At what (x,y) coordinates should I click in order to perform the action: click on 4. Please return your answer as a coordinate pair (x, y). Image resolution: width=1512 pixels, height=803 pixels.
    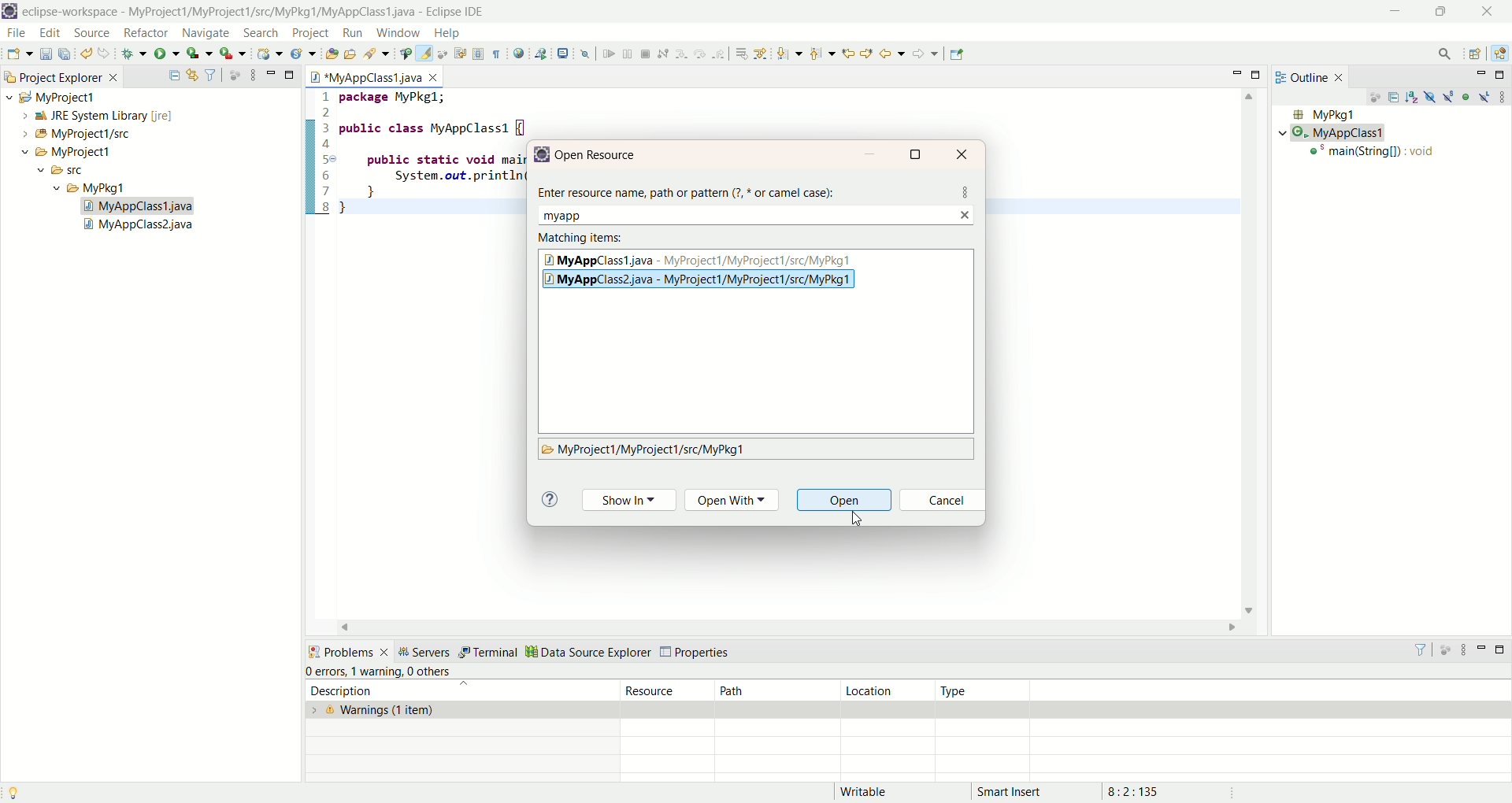
    Looking at the image, I should click on (329, 146).